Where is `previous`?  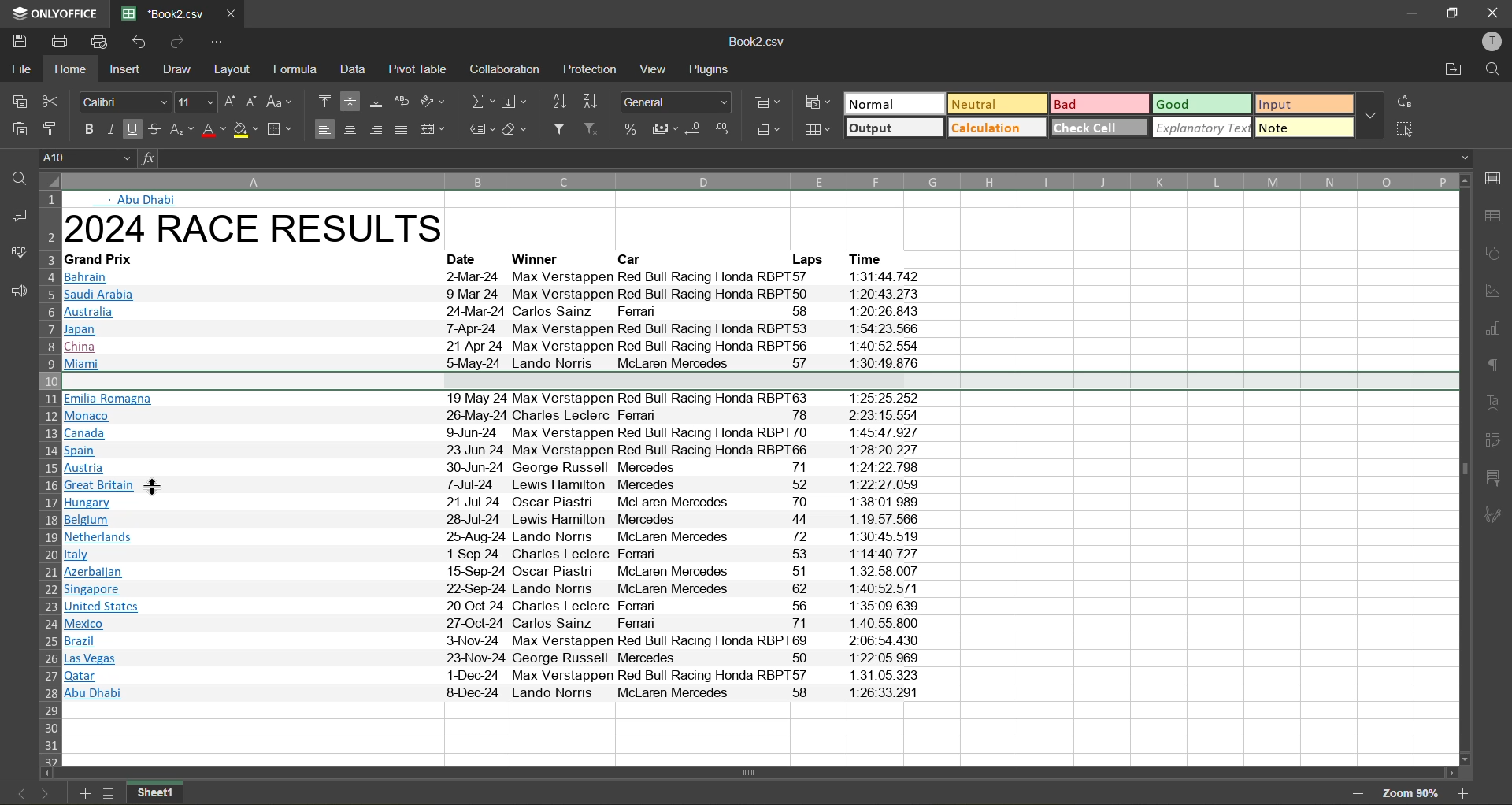
previous is located at coordinates (13, 794).